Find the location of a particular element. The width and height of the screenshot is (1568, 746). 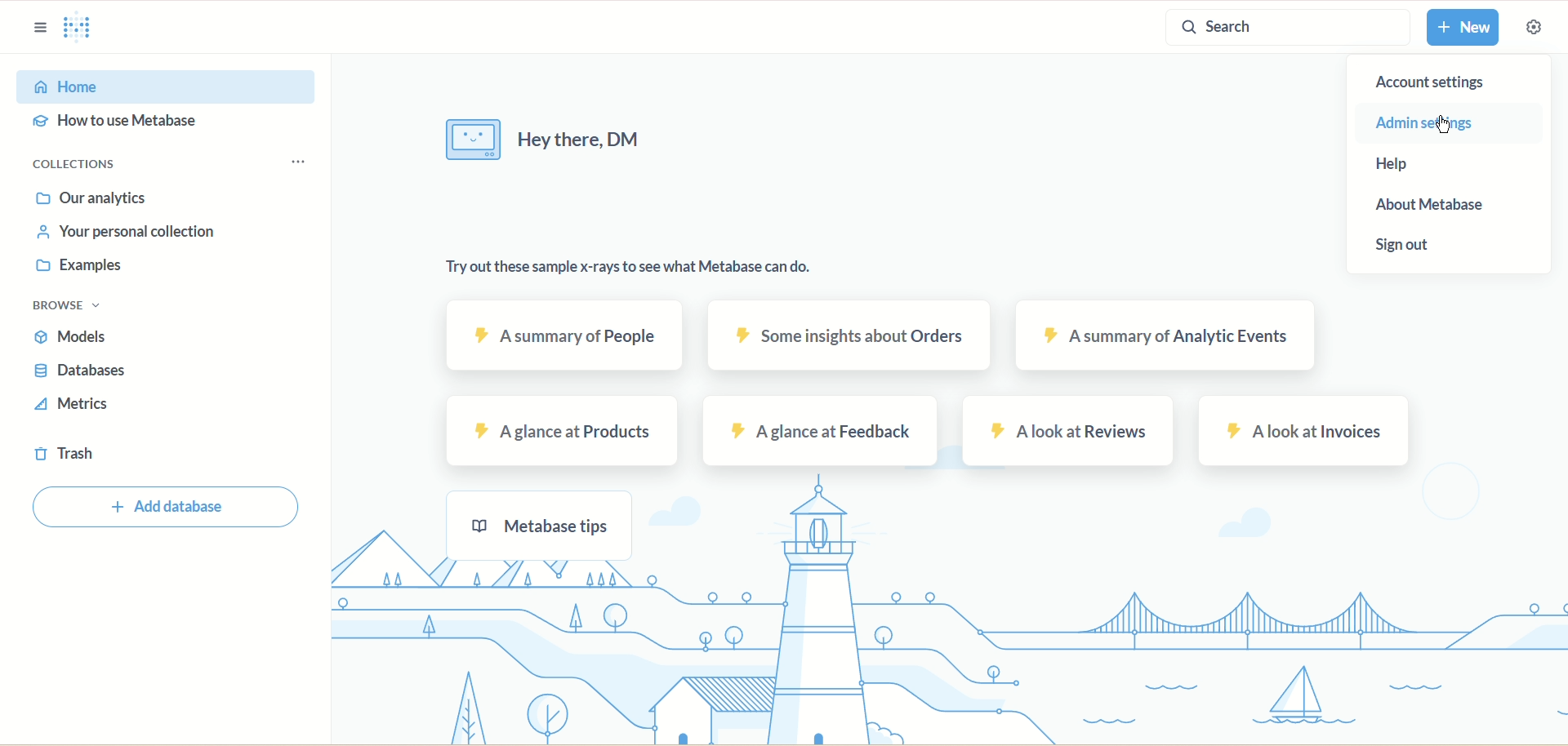

Sign out is located at coordinates (1405, 246).